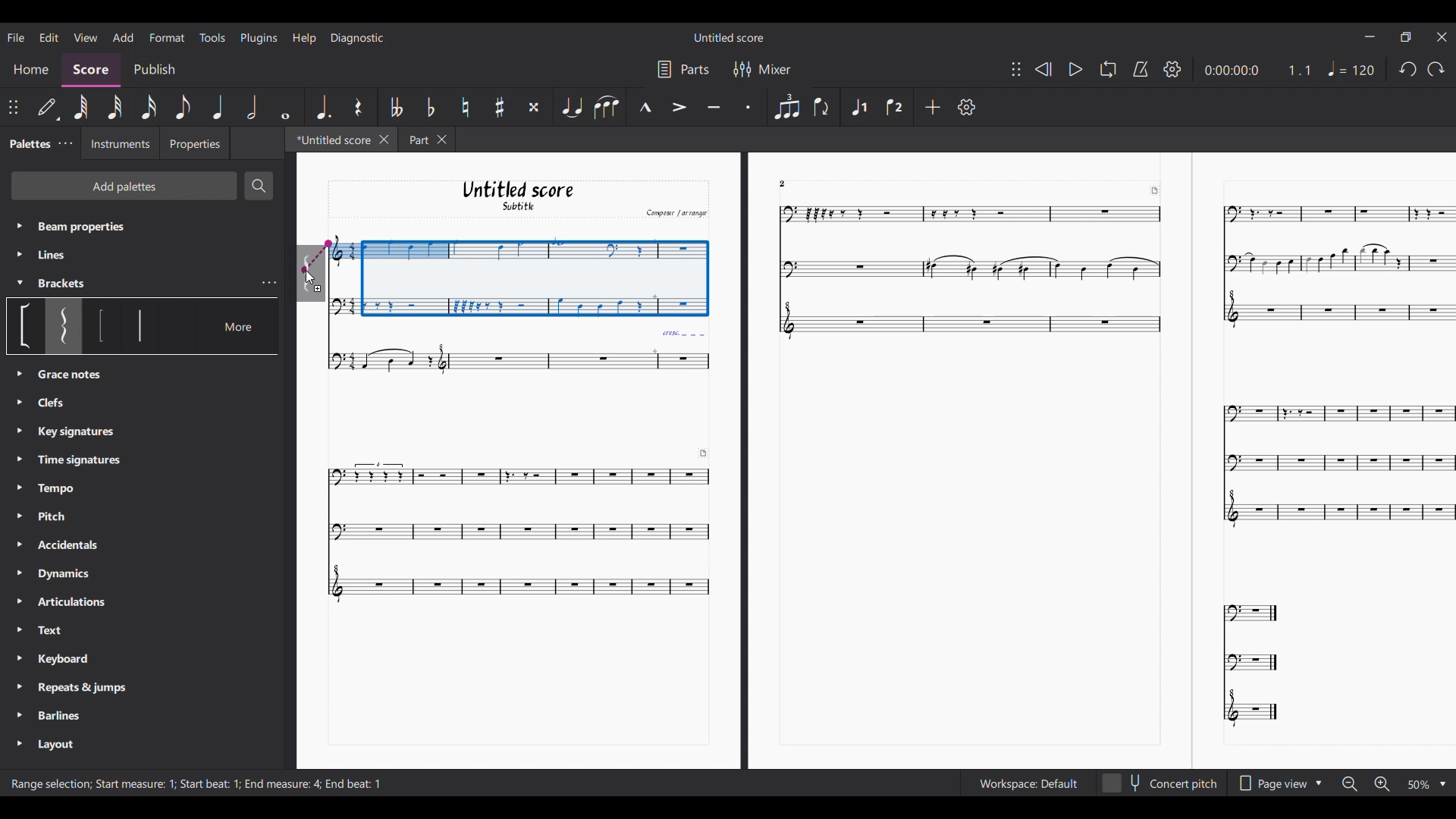  Describe the element at coordinates (211, 784) in the screenshot. I see `Start beat : 1;` at that location.